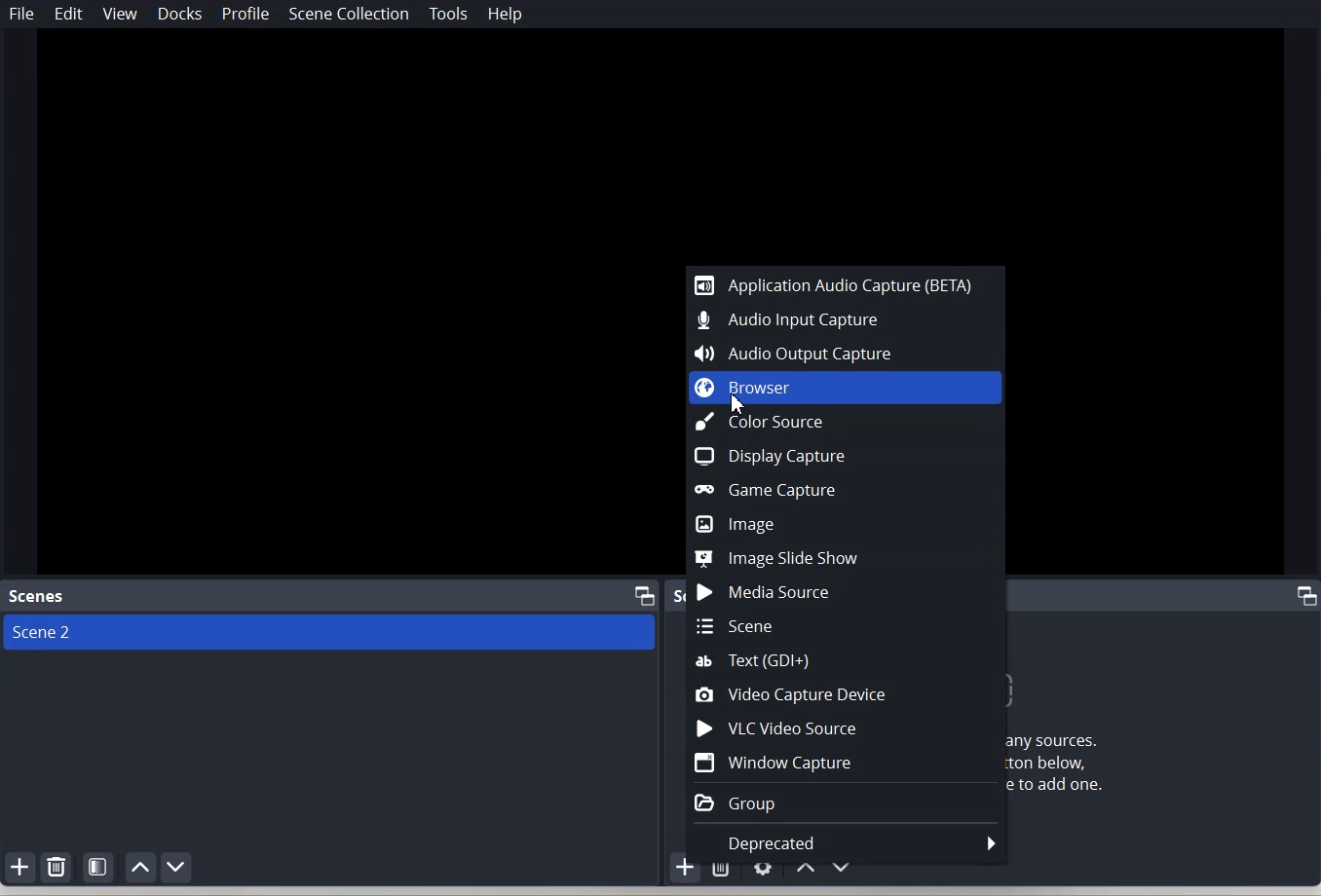 This screenshot has width=1321, height=896. I want to click on View, so click(120, 14).